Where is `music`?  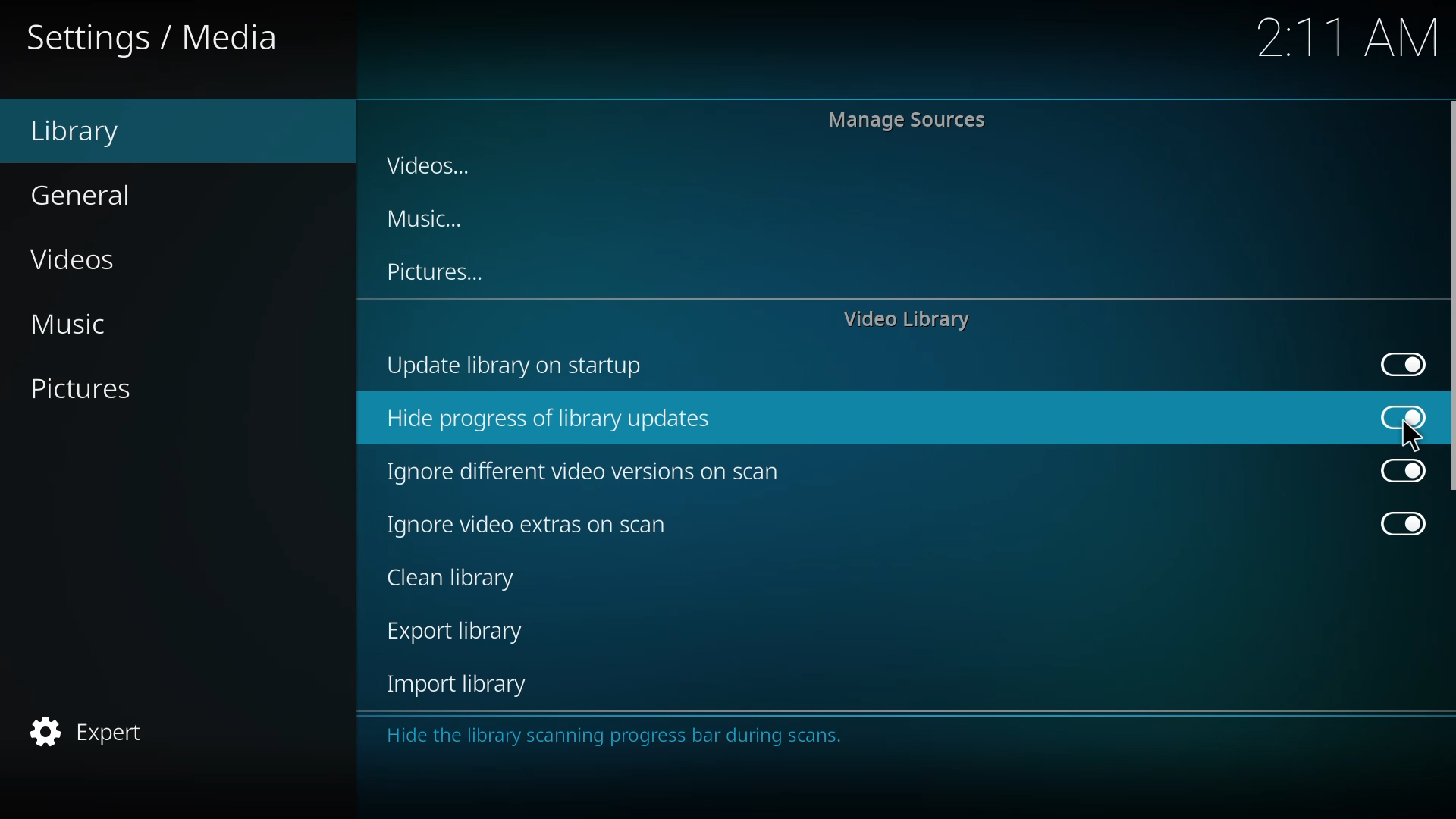 music is located at coordinates (85, 324).